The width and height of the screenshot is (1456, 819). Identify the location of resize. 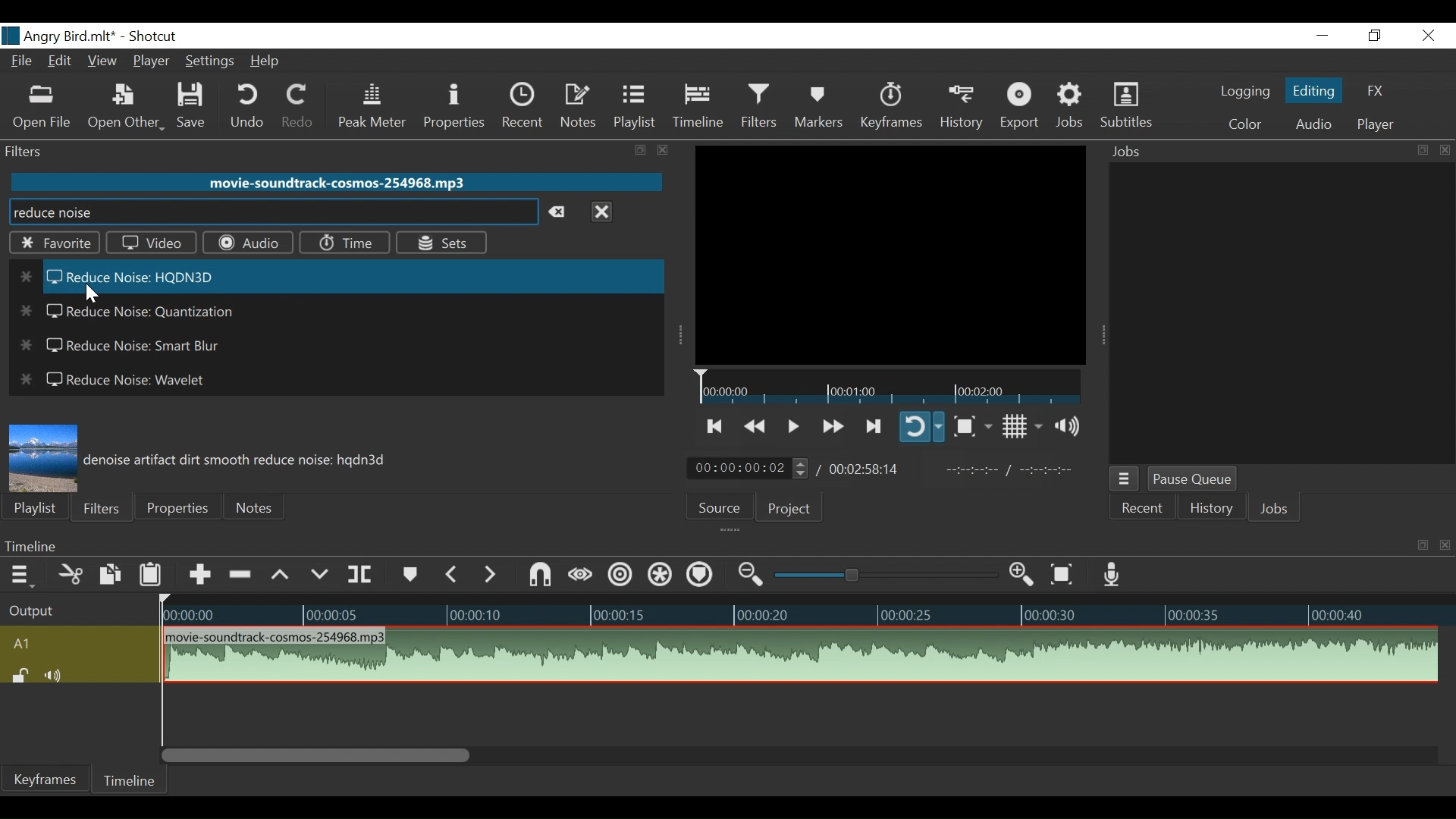
(1421, 150).